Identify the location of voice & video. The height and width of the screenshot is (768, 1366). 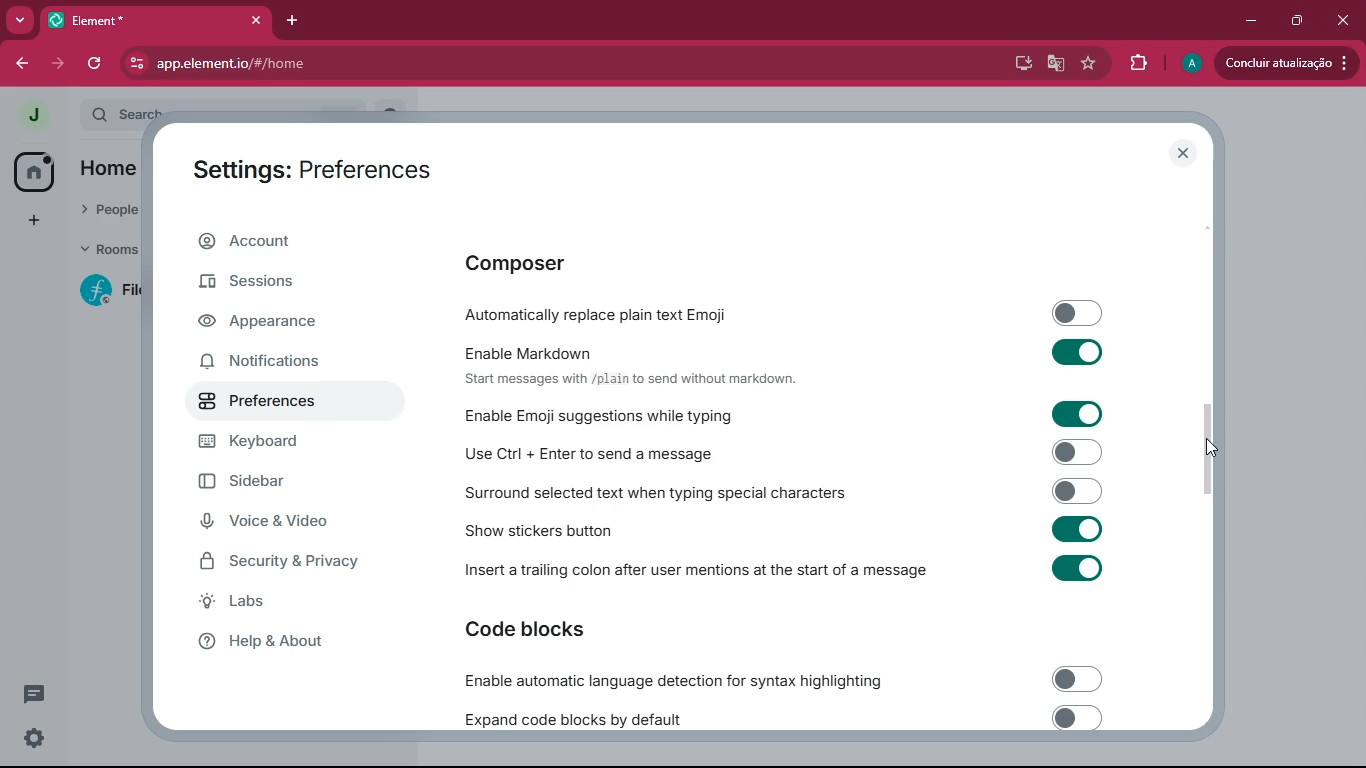
(270, 522).